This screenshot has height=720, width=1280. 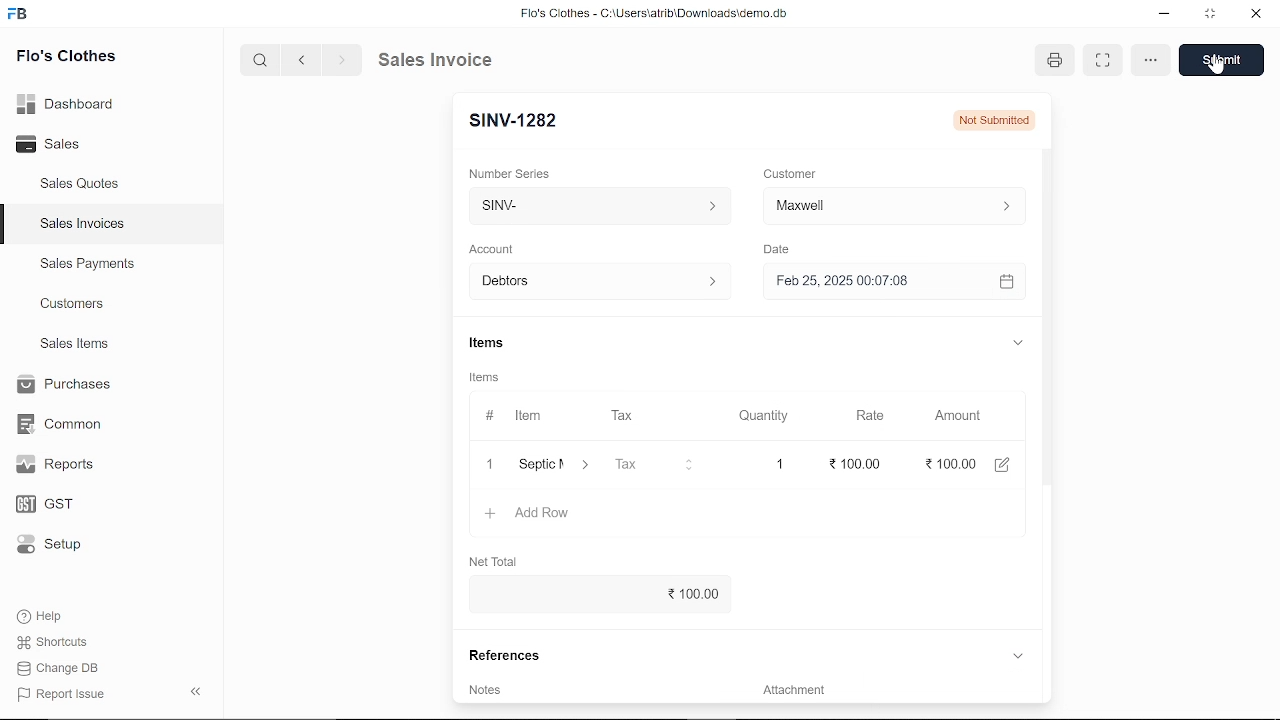 I want to click on Net Total, so click(x=494, y=561).